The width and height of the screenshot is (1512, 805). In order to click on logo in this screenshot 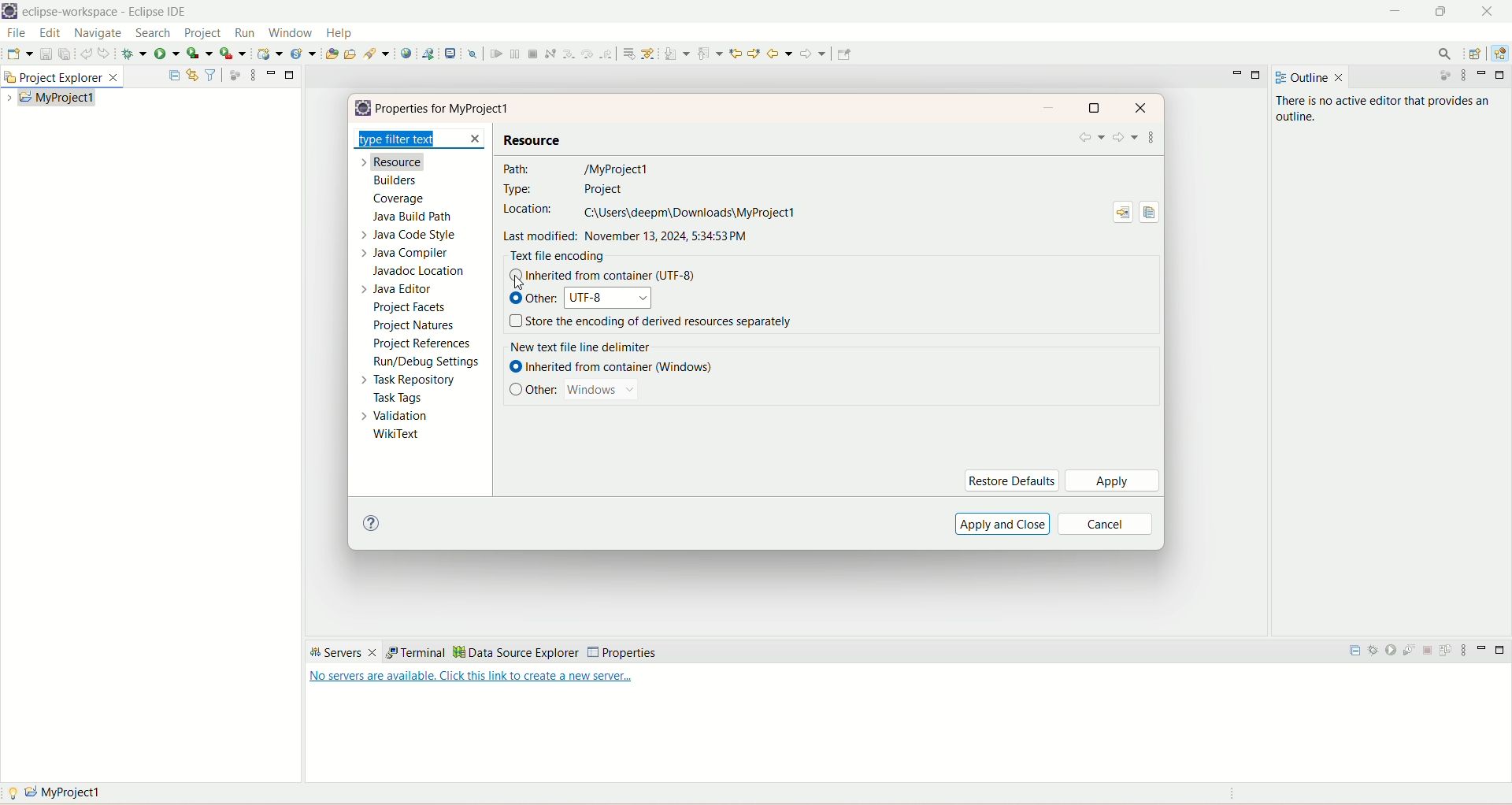, I will do `click(11, 11)`.